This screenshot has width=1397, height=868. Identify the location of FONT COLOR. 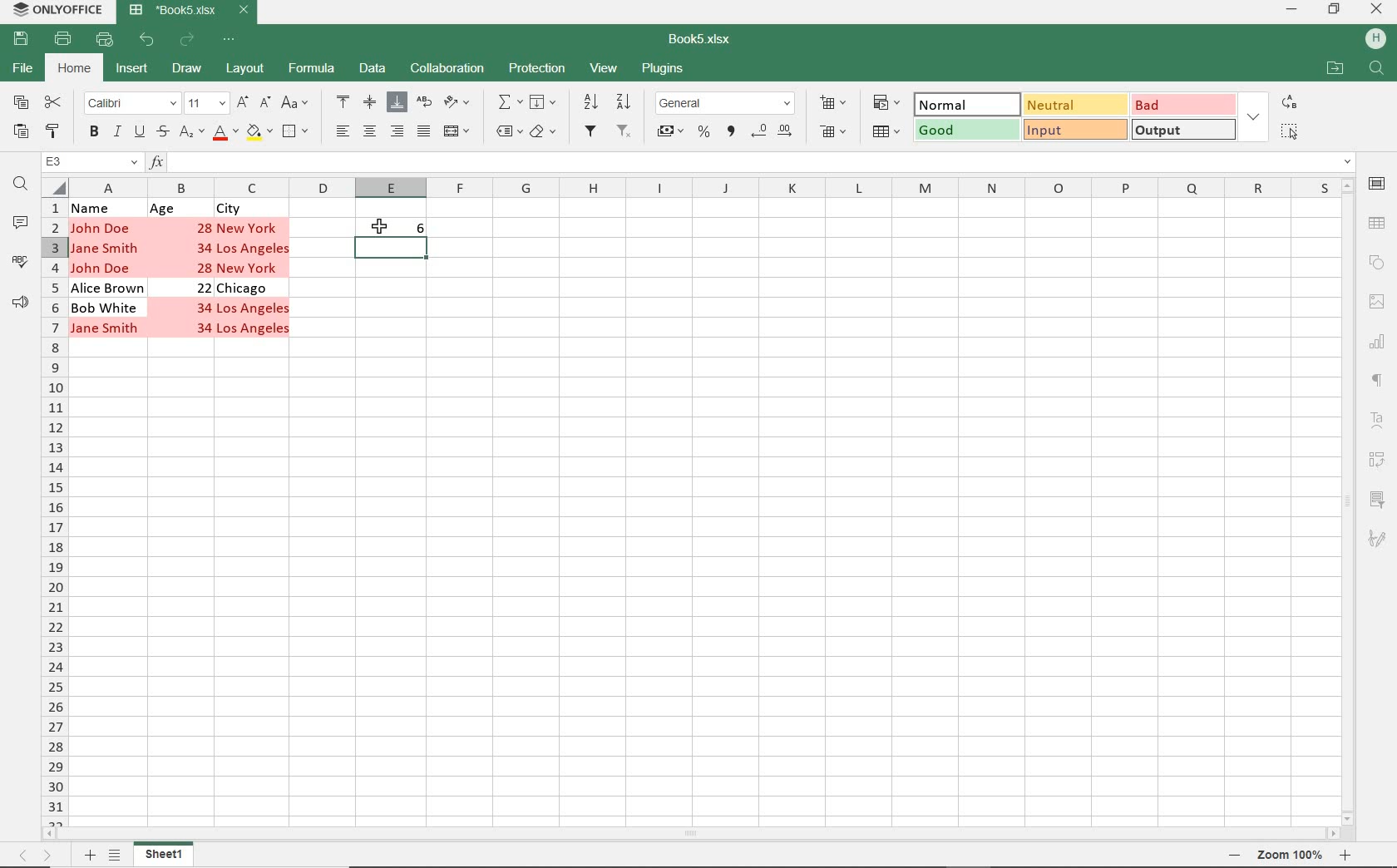
(225, 134).